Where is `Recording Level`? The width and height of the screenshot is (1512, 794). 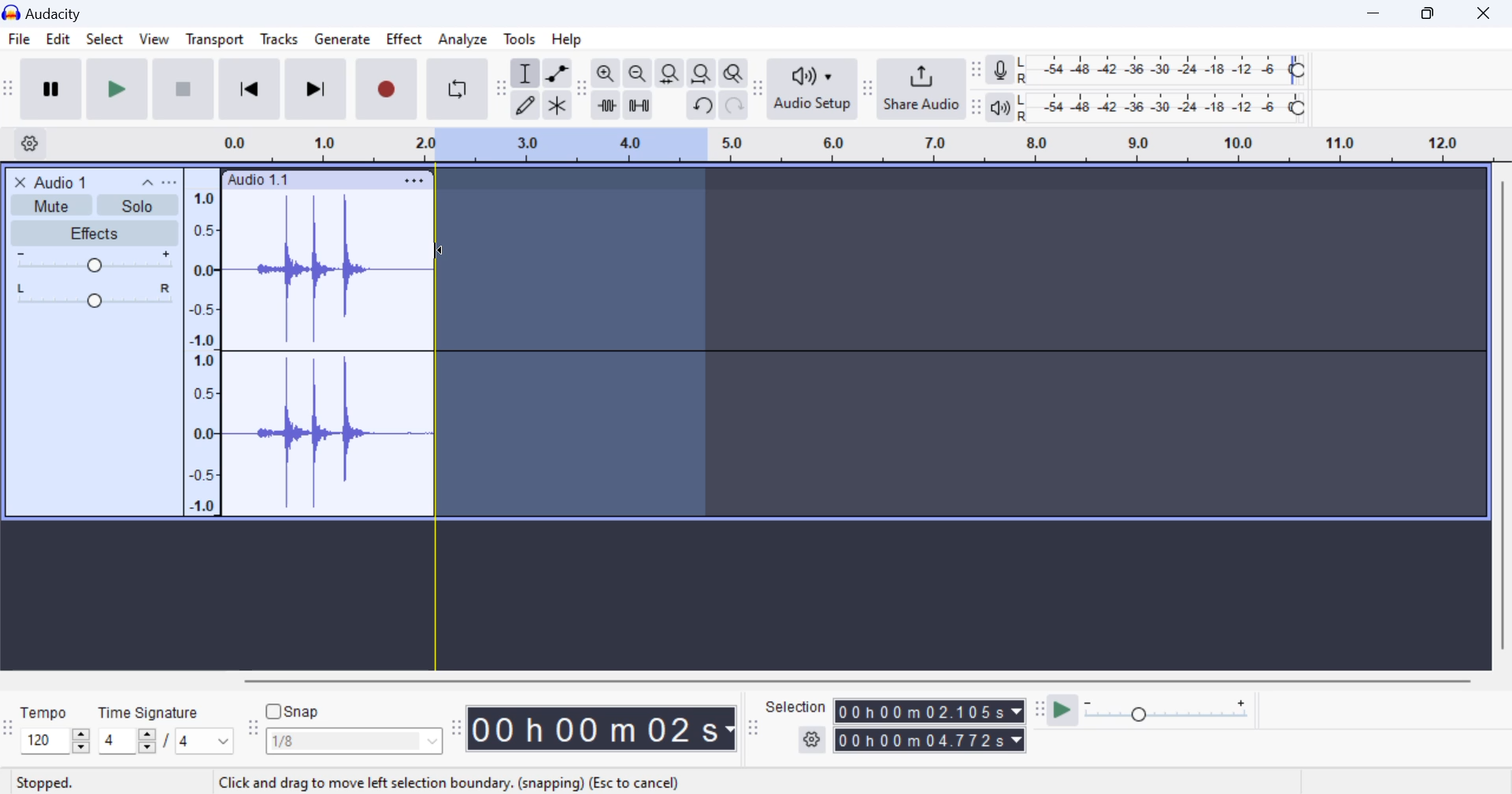
Recording Level is located at coordinates (1162, 70).